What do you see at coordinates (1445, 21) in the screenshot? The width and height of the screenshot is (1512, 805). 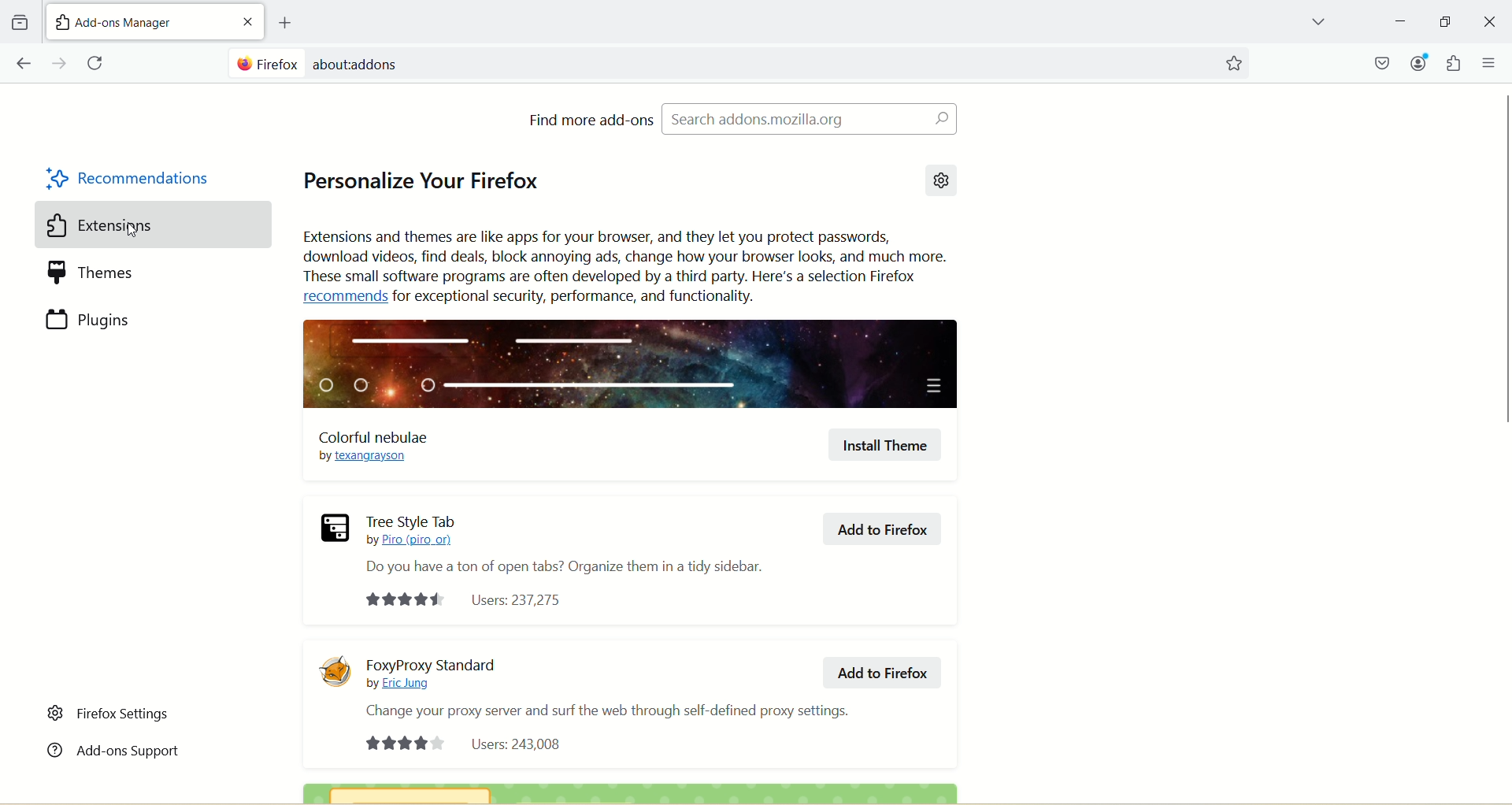 I see `Minimize` at bounding box center [1445, 21].